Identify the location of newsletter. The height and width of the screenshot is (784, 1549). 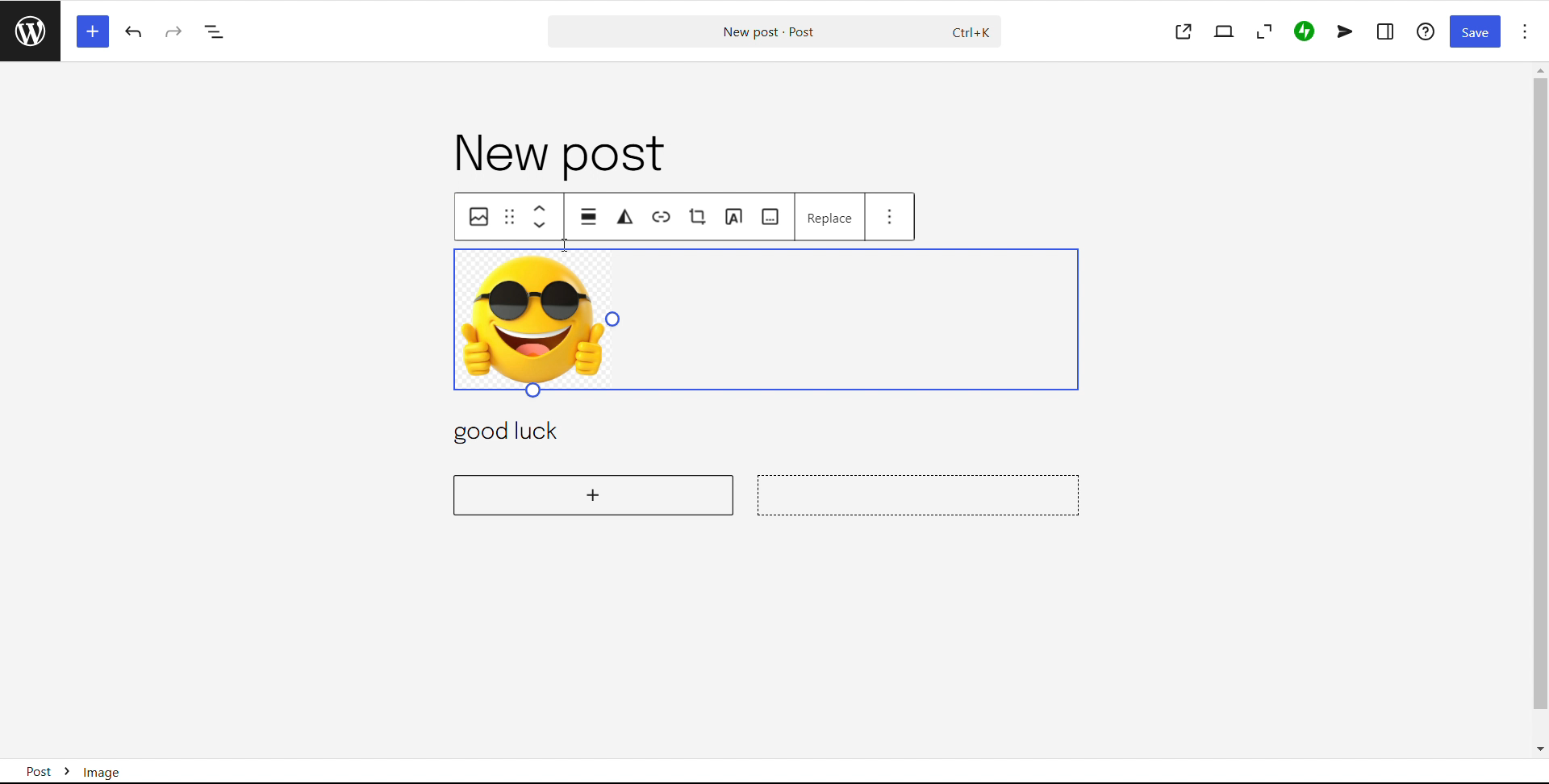
(1345, 31).